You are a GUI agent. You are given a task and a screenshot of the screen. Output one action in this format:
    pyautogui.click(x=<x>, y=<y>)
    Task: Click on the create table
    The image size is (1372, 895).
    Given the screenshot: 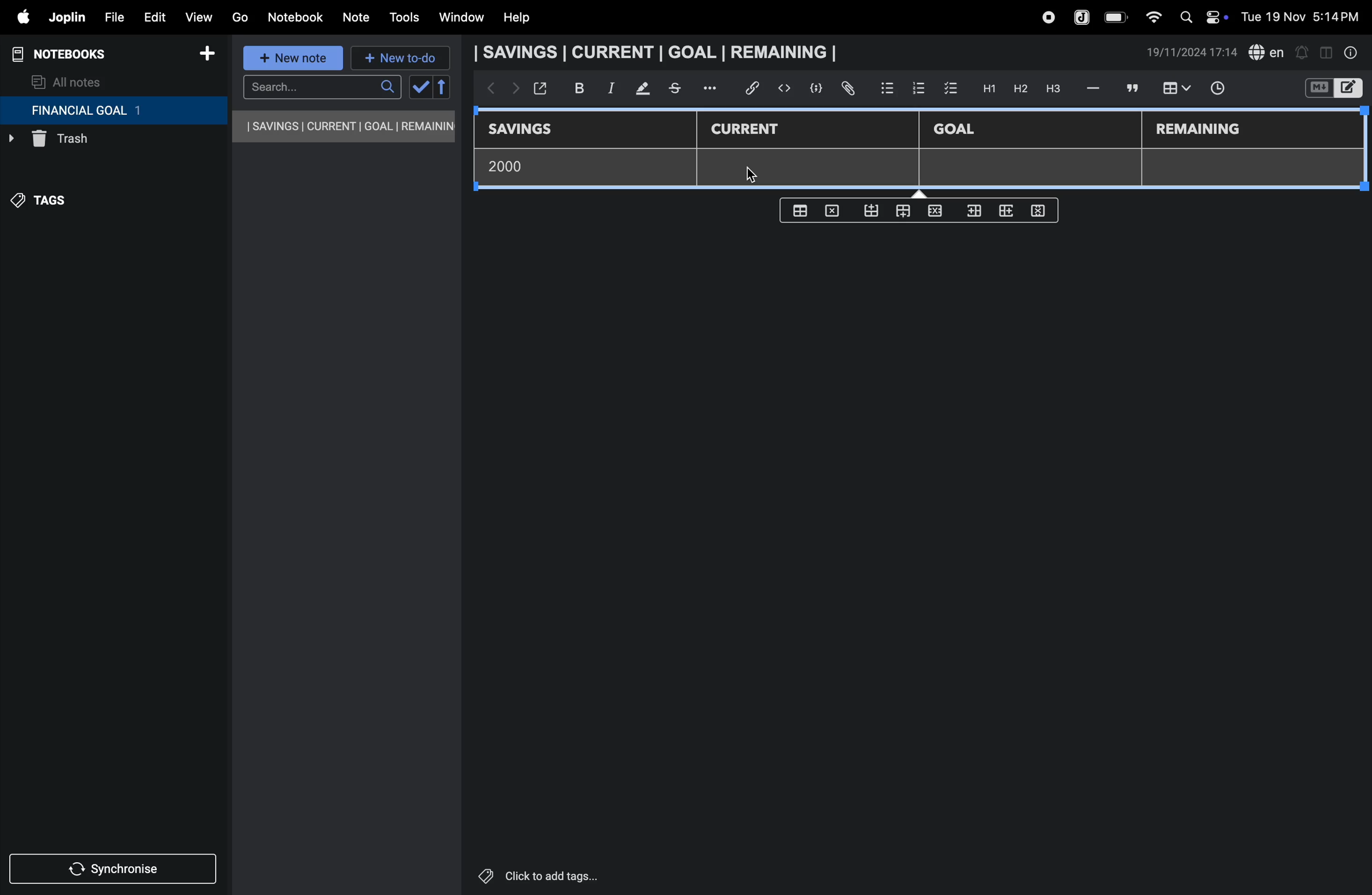 What is the action you would take?
    pyautogui.click(x=800, y=210)
    